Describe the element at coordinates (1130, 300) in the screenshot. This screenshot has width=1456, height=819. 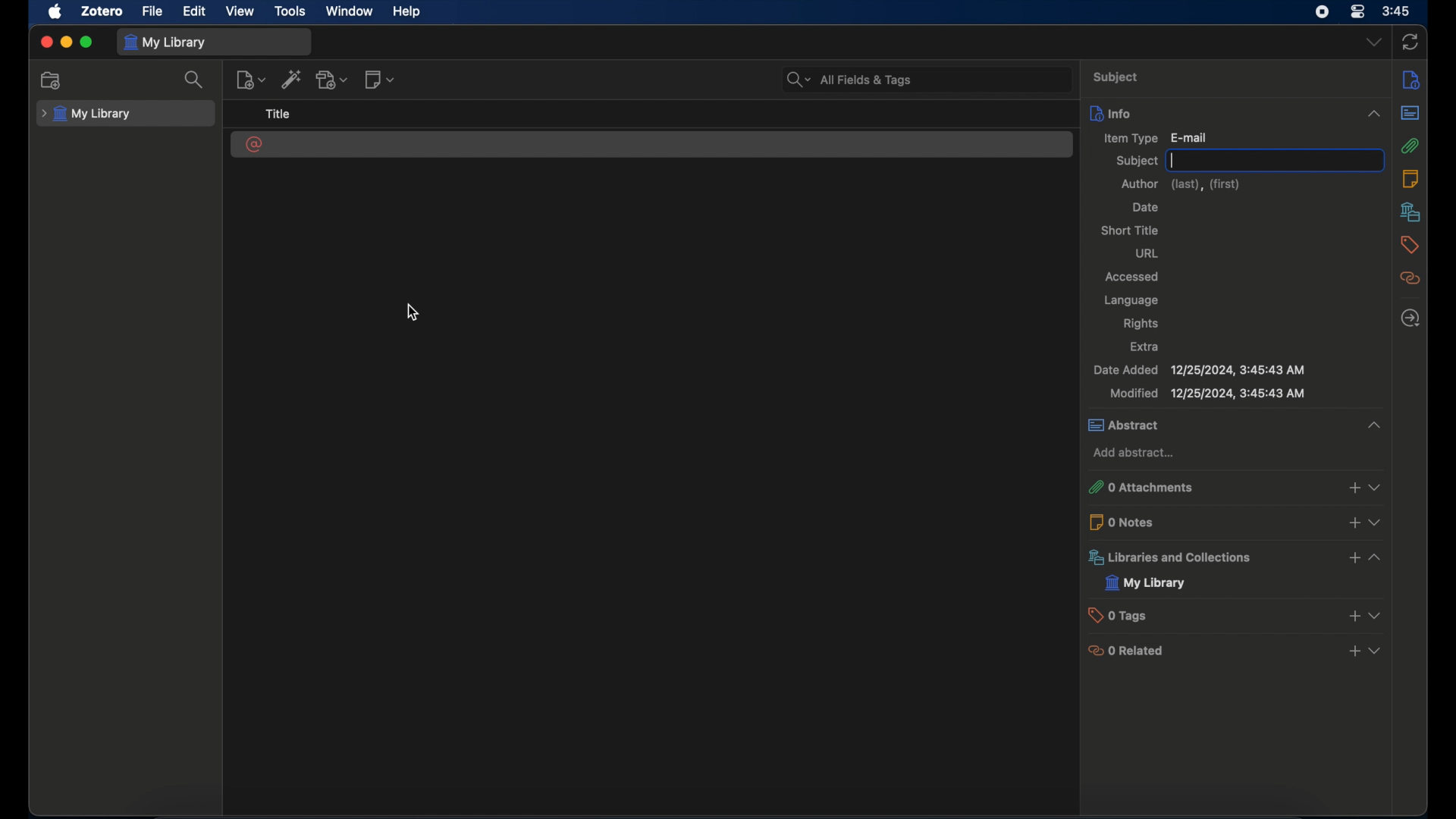
I see `language` at that location.